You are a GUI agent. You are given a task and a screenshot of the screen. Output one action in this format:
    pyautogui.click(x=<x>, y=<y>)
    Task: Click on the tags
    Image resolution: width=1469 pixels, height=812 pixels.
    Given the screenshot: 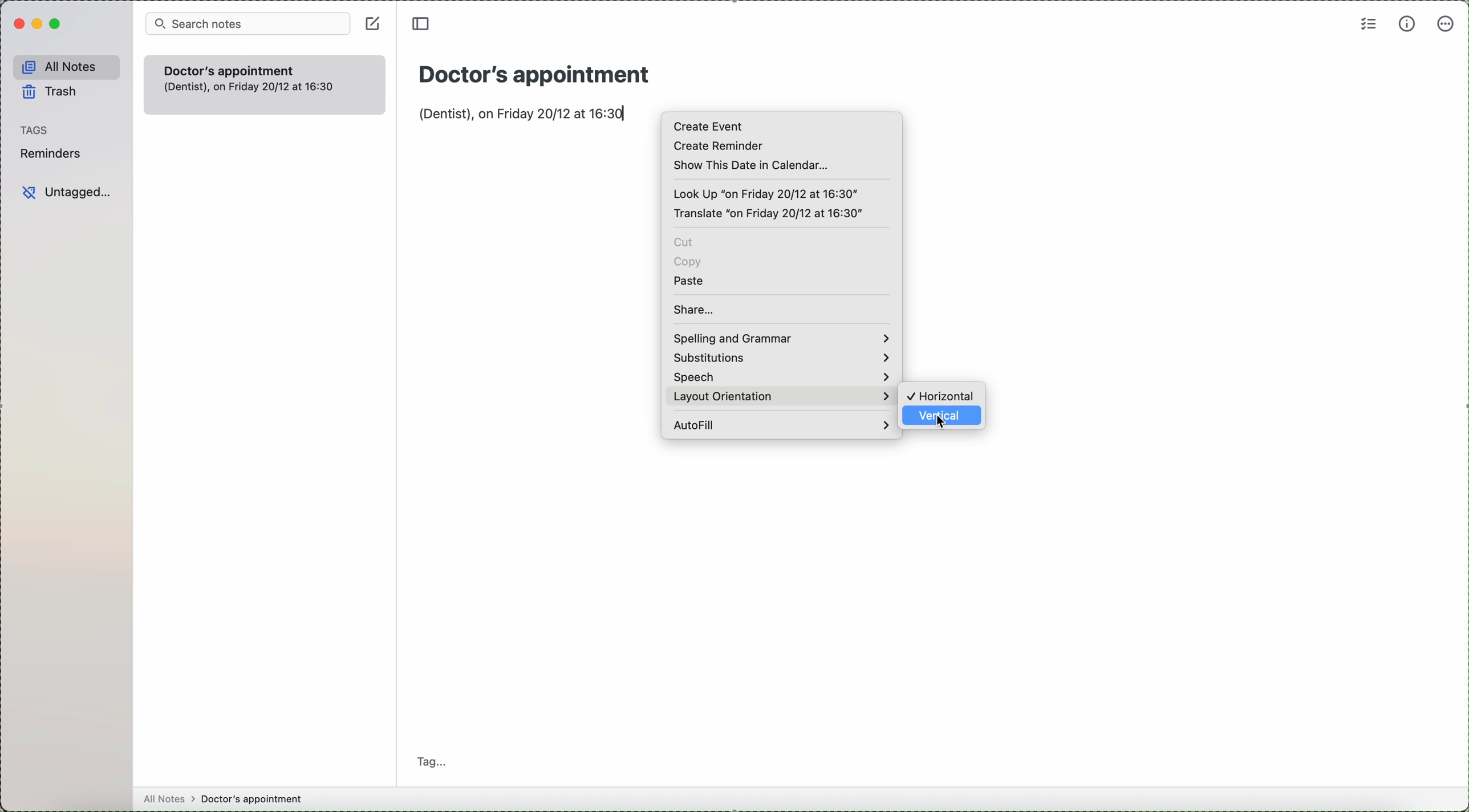 What is the action you would take?
    pyautogui.click(x=33, y=130)
    